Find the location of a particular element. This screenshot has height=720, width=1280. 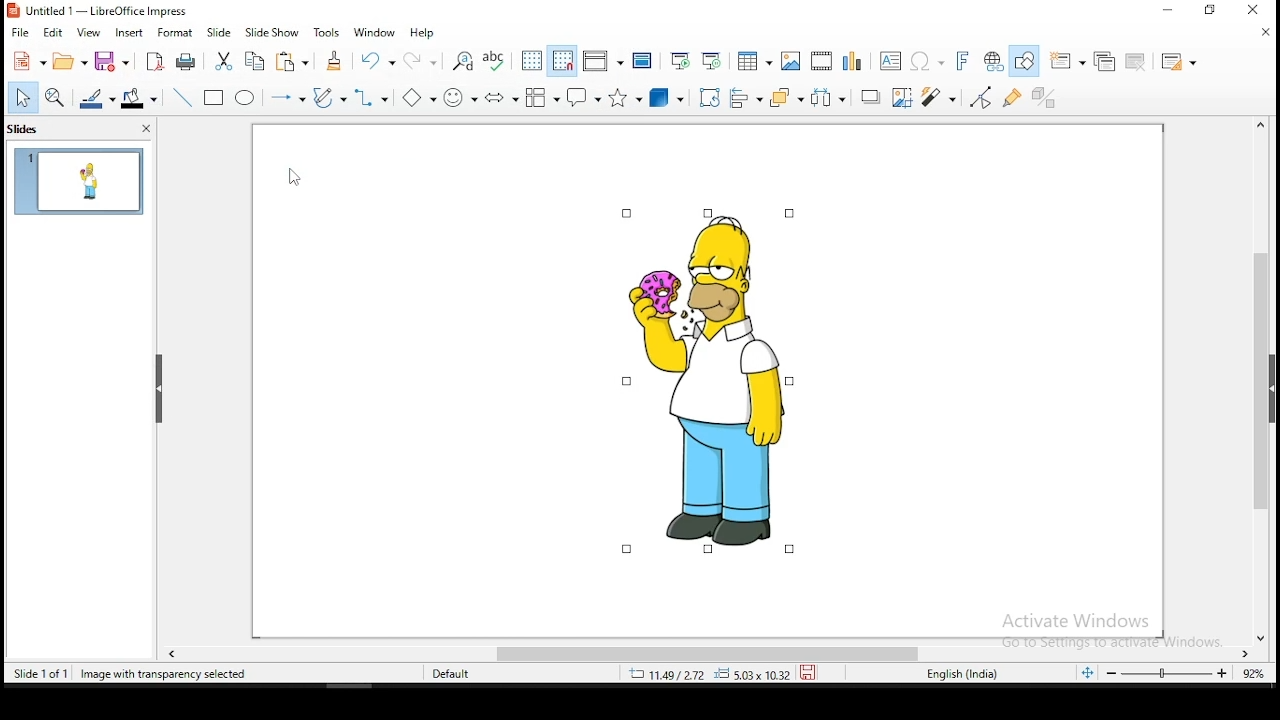

basic shapes is located at coordinates (416, 97).